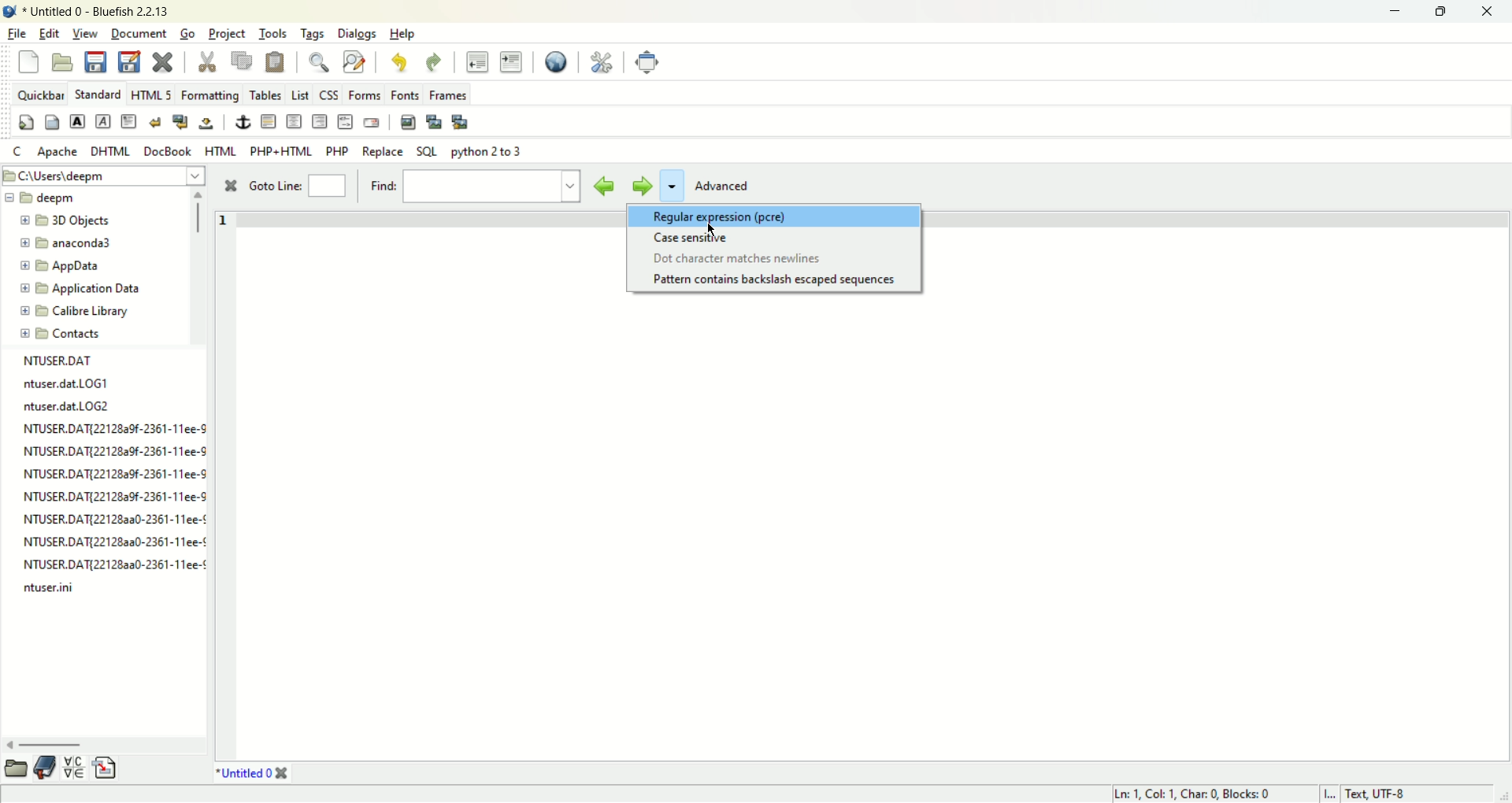 This screenshot has height=803, width=1512. Describe the element at coordinates (447, 94) in the screenshot. I see `frames` at that location.